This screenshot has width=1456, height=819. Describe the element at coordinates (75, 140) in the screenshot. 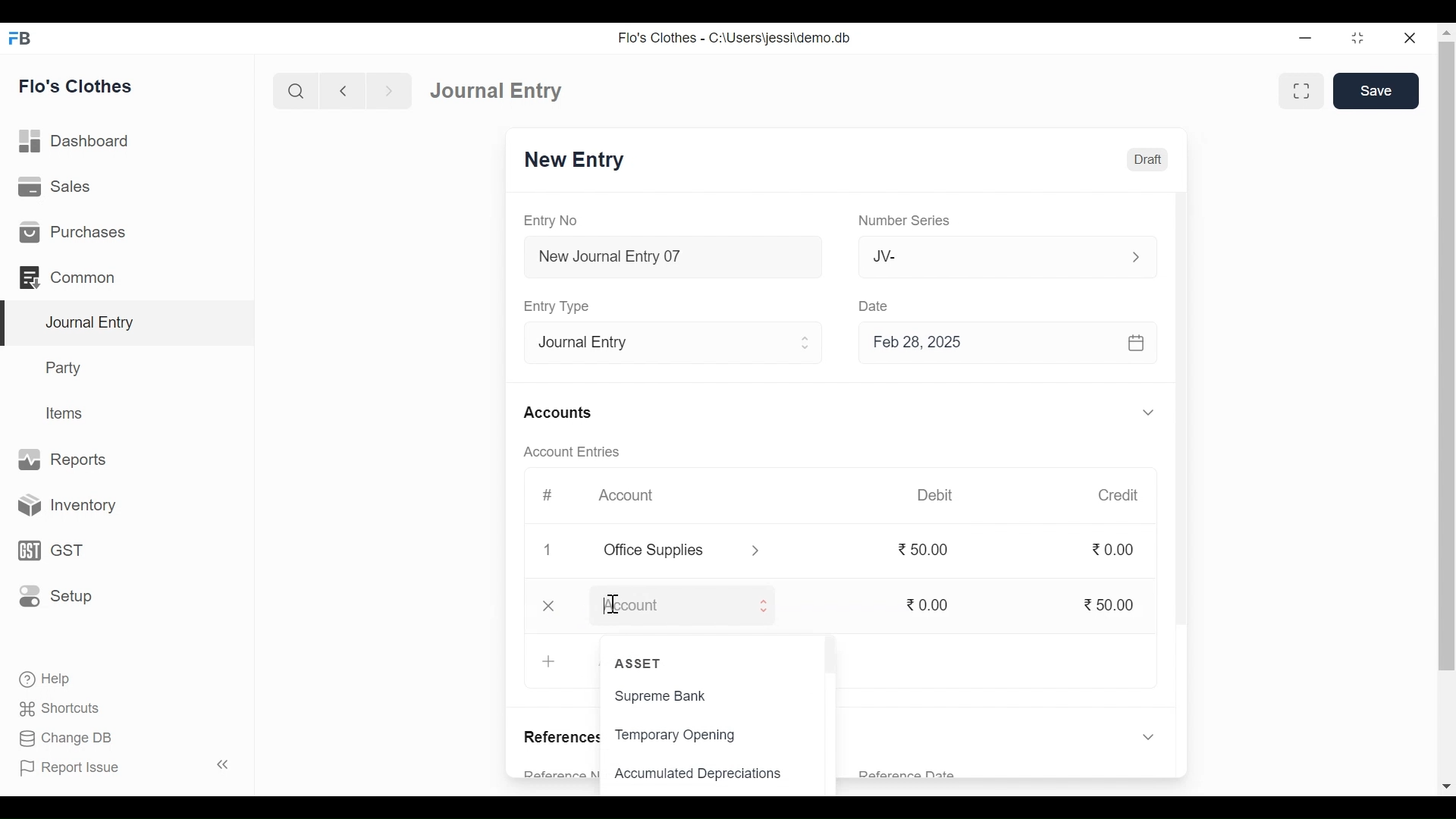

I see `Dashboard` at that location.